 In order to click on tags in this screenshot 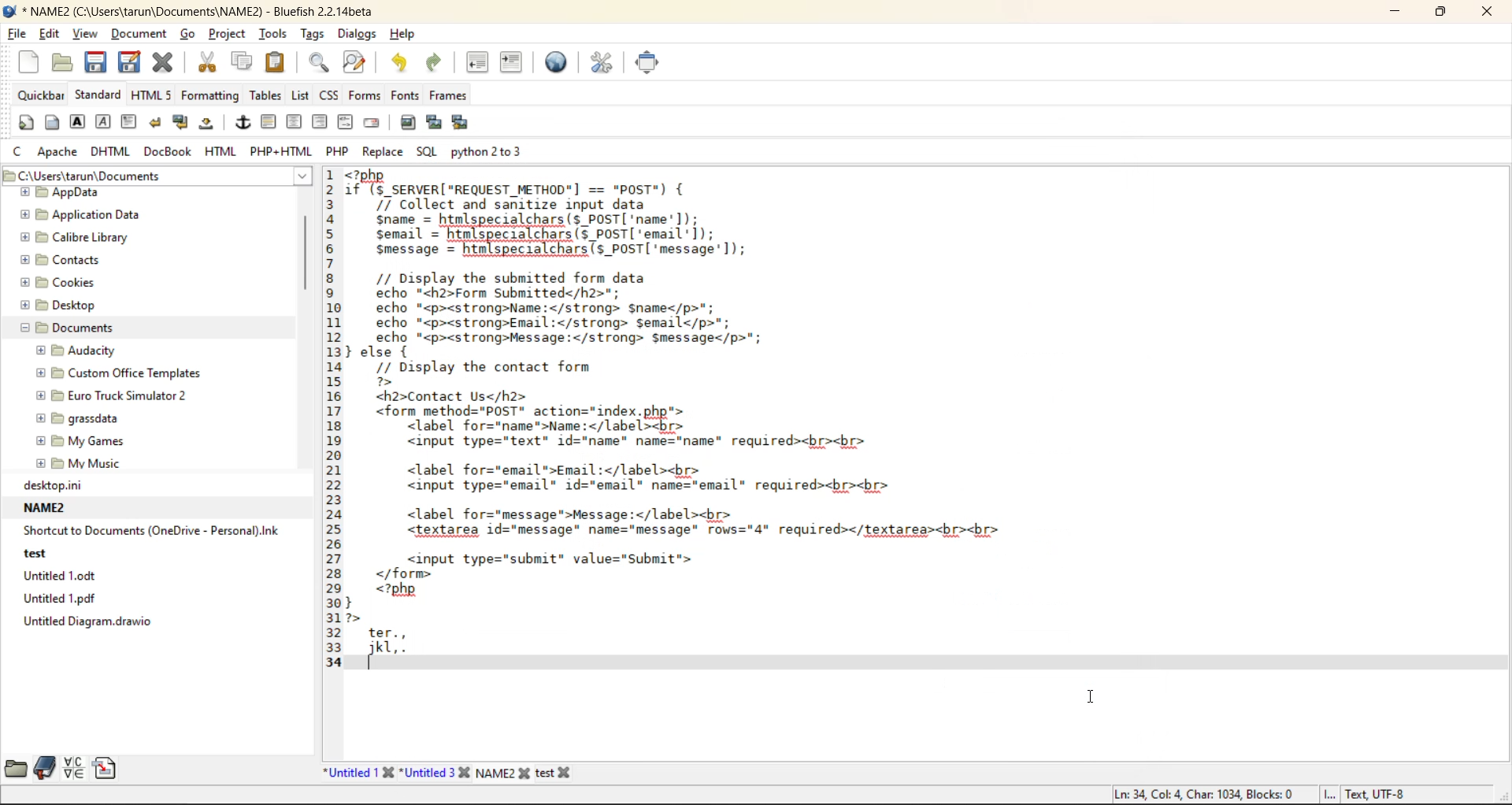, I will do `click(313, 33)`.